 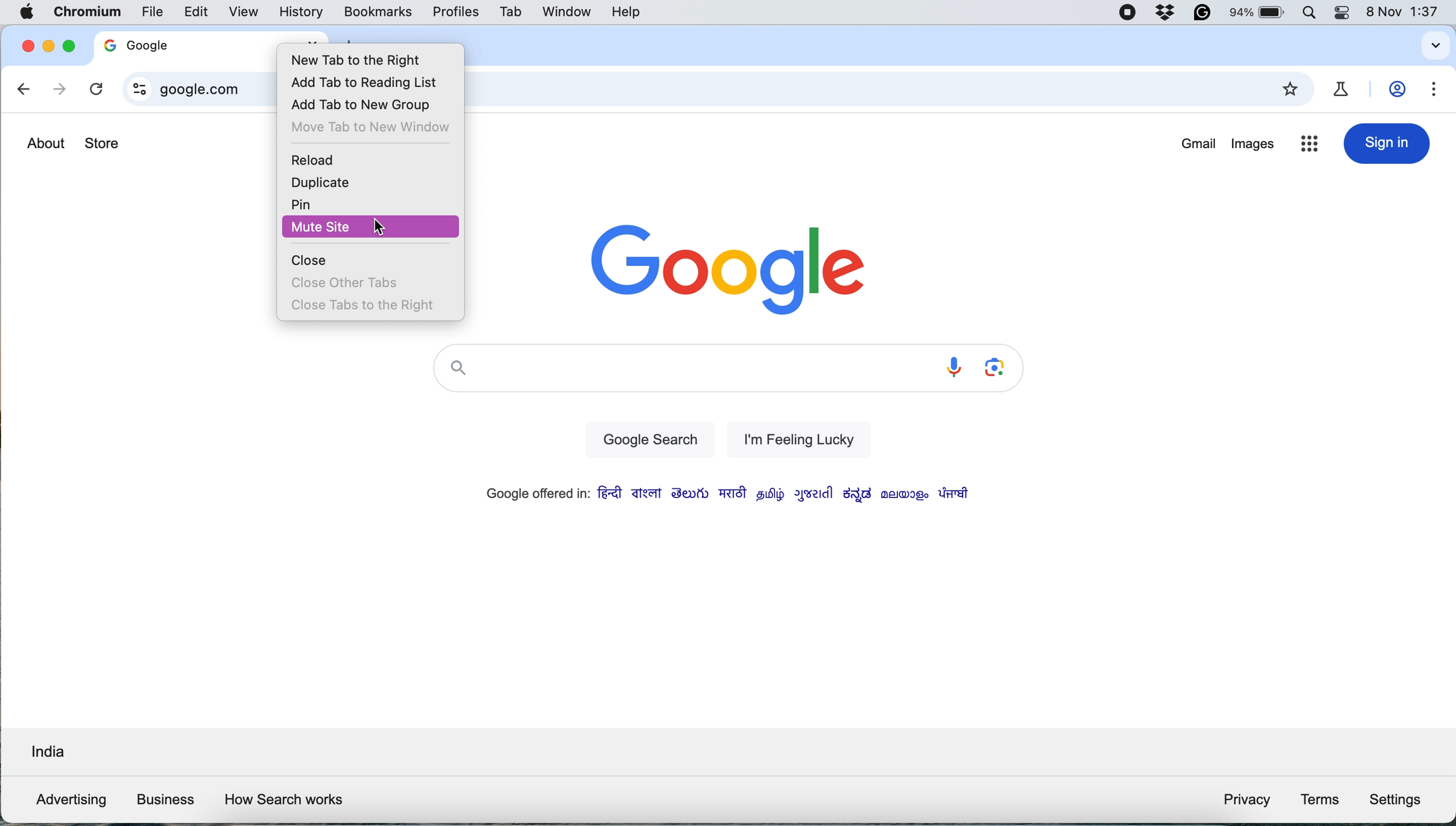 What do you see at coordinates (647, 441) in the screenshot?
I see `google search` at bounding box center [647, 441].